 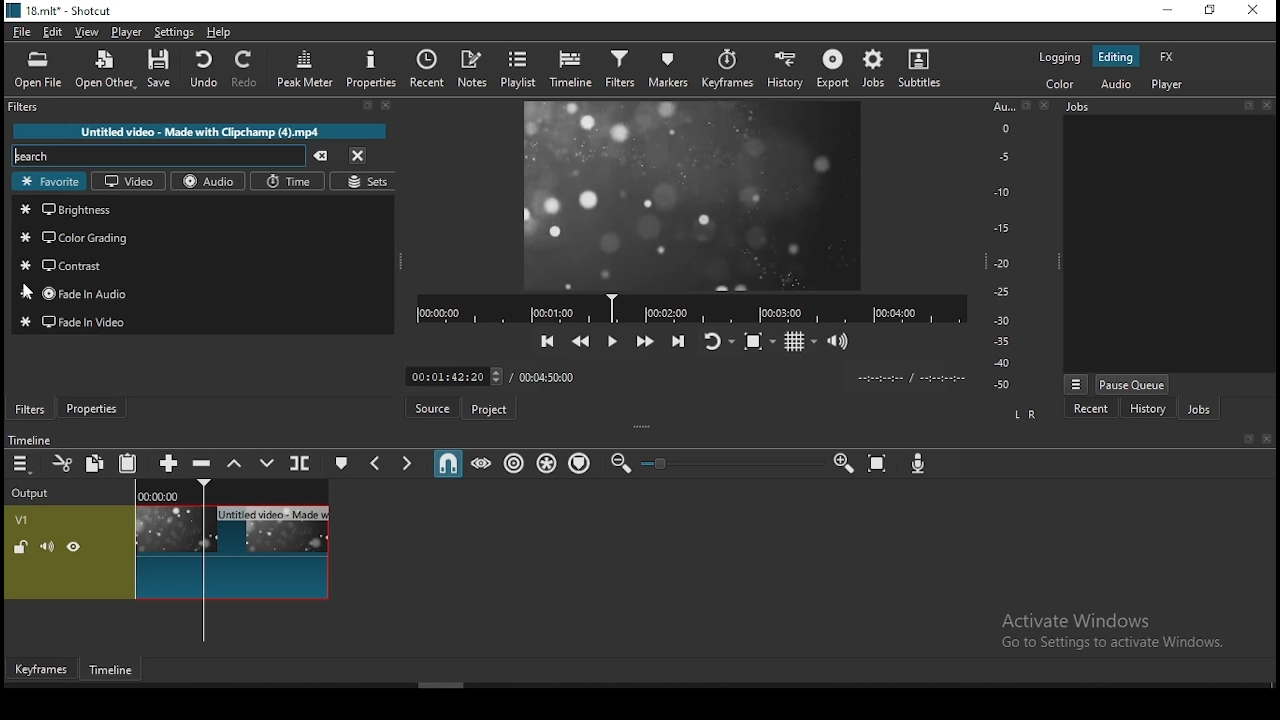 I want to click on Jobs, so click(x=1078, y=107).